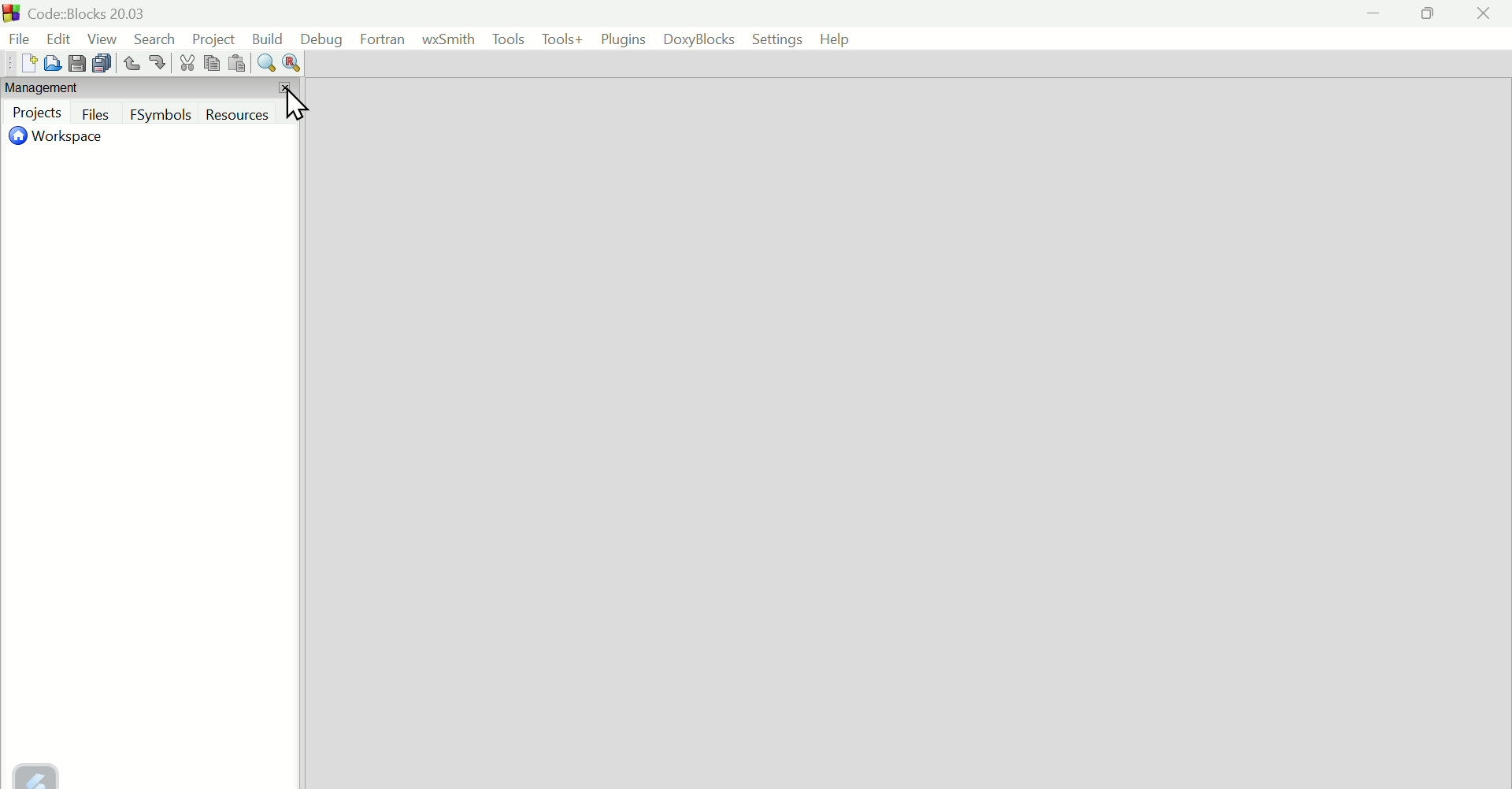  I want to click on Project, so click(213, 39).